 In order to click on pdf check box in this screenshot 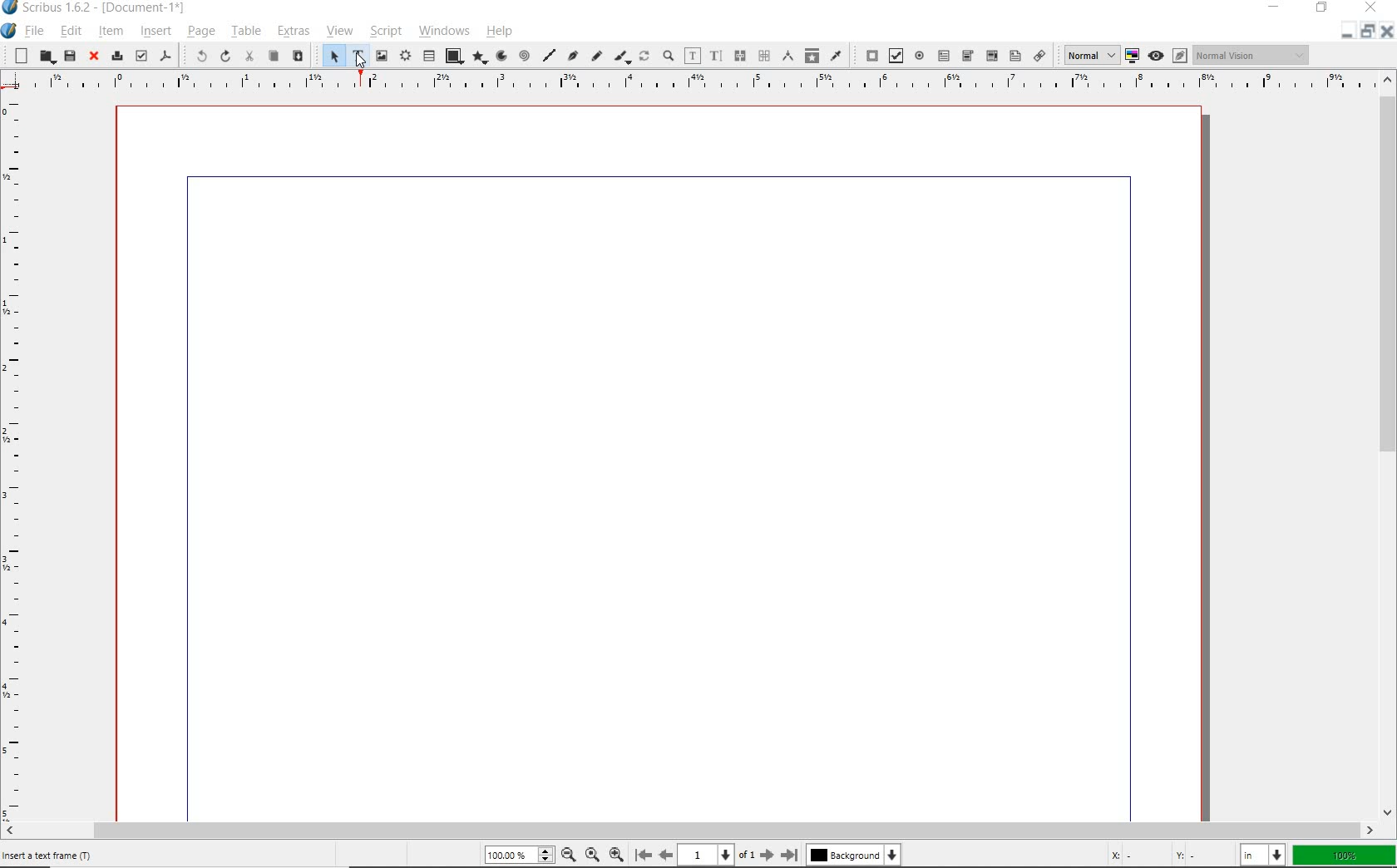, I will do `click(894, 55)`.